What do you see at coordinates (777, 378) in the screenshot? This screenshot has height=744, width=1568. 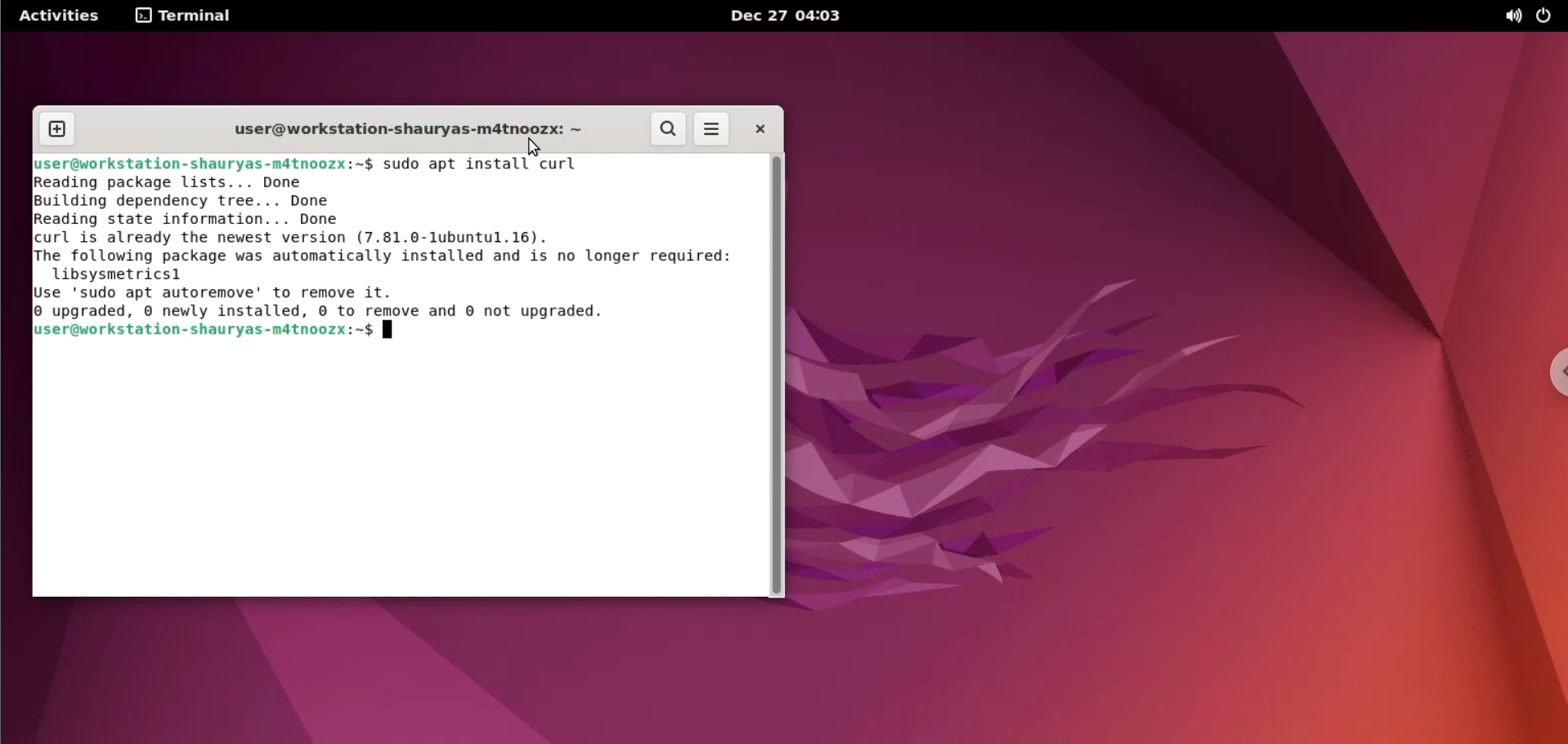 I see `scrollbar` at bounding box center [777, 378].